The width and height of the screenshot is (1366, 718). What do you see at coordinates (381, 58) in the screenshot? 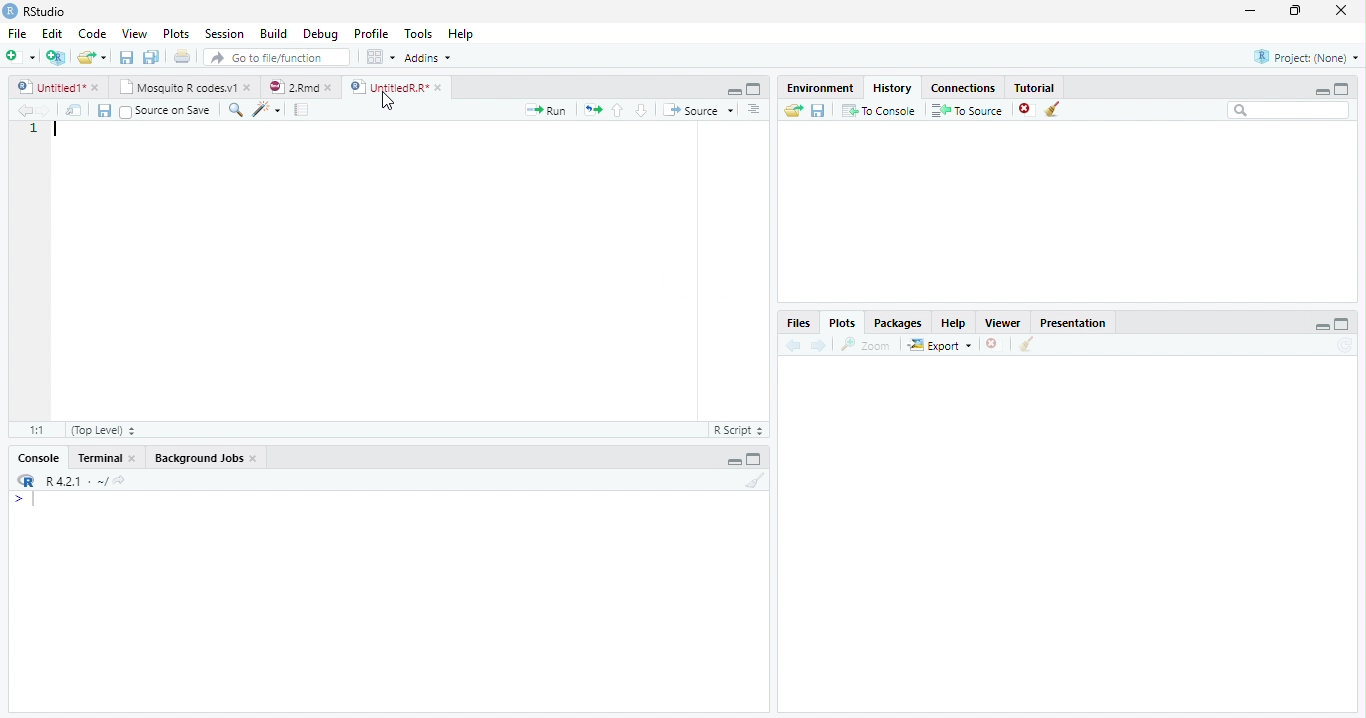
I see `Workspace panes` at bounding box center [381, 58].